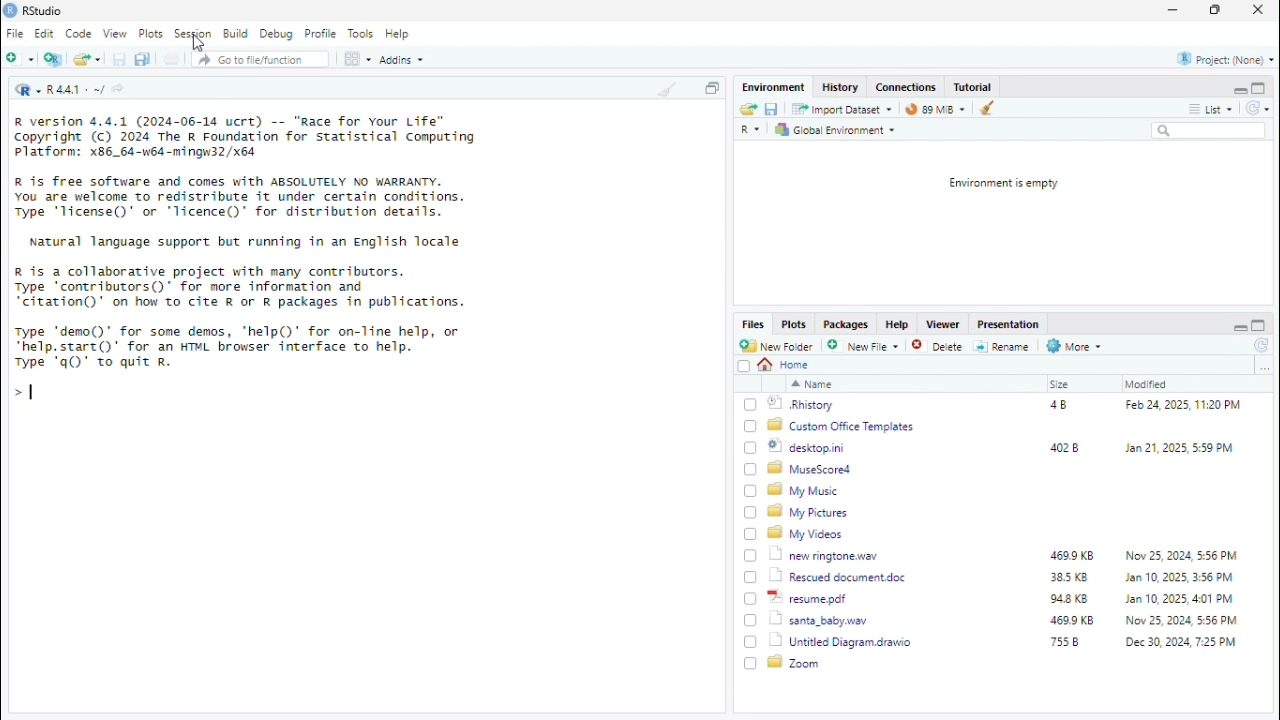 Image resolution: width=1280 pixels, height=720 pixels. I want to click on Viewer, so click(944, 323).